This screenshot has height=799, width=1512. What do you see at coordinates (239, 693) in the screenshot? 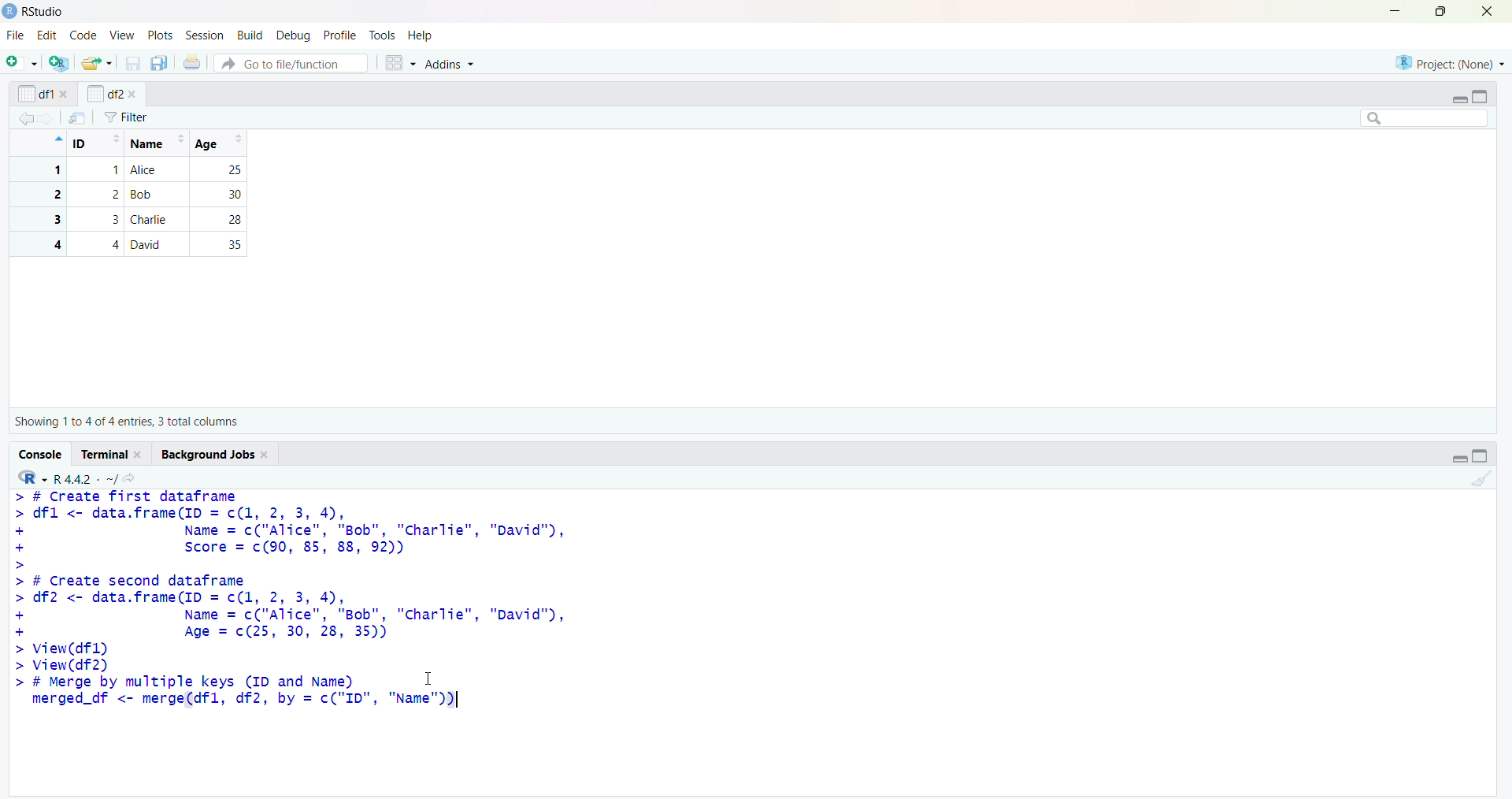
I see `> # Merge by multiple keys (ID and Name) 1merged_df <- merge(dfl, df2, by = c("ID", "Name"))` at bounding box center [239, 693].